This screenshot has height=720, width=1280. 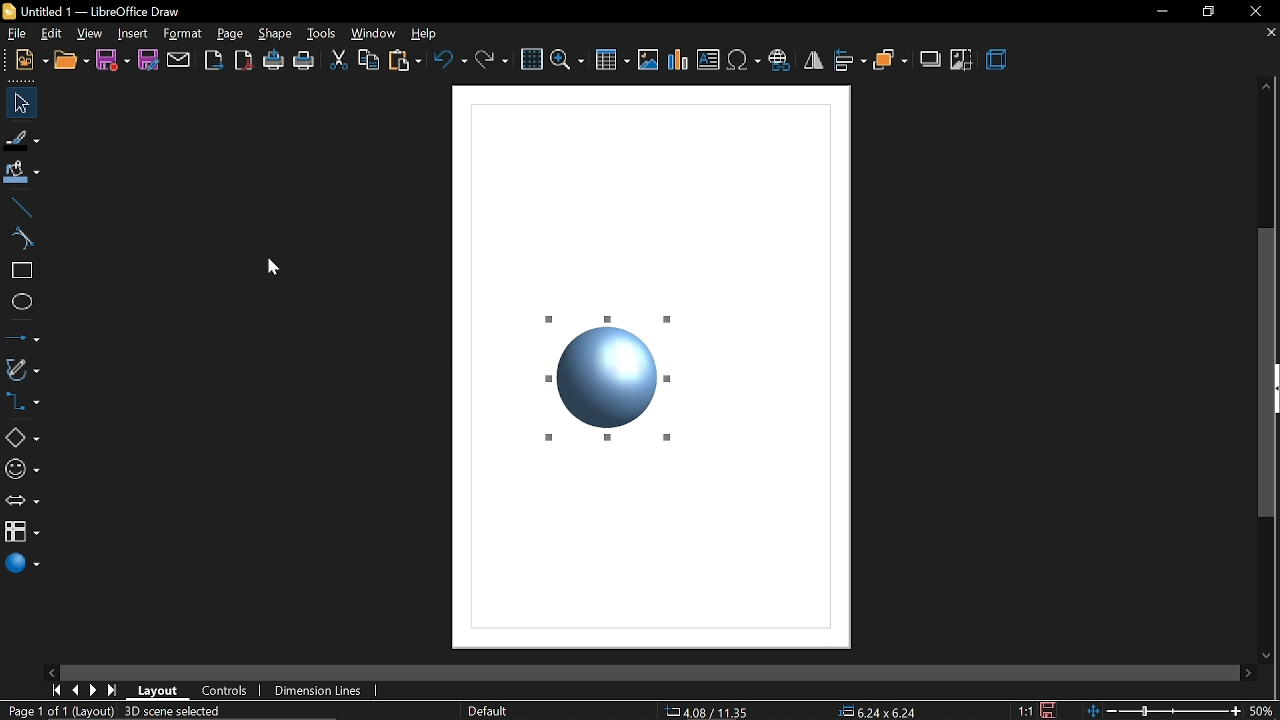 What do you see at coordinates (782, 60) in the screenshot?
I see `insert hyperlink` at bounding box center [782, 60].